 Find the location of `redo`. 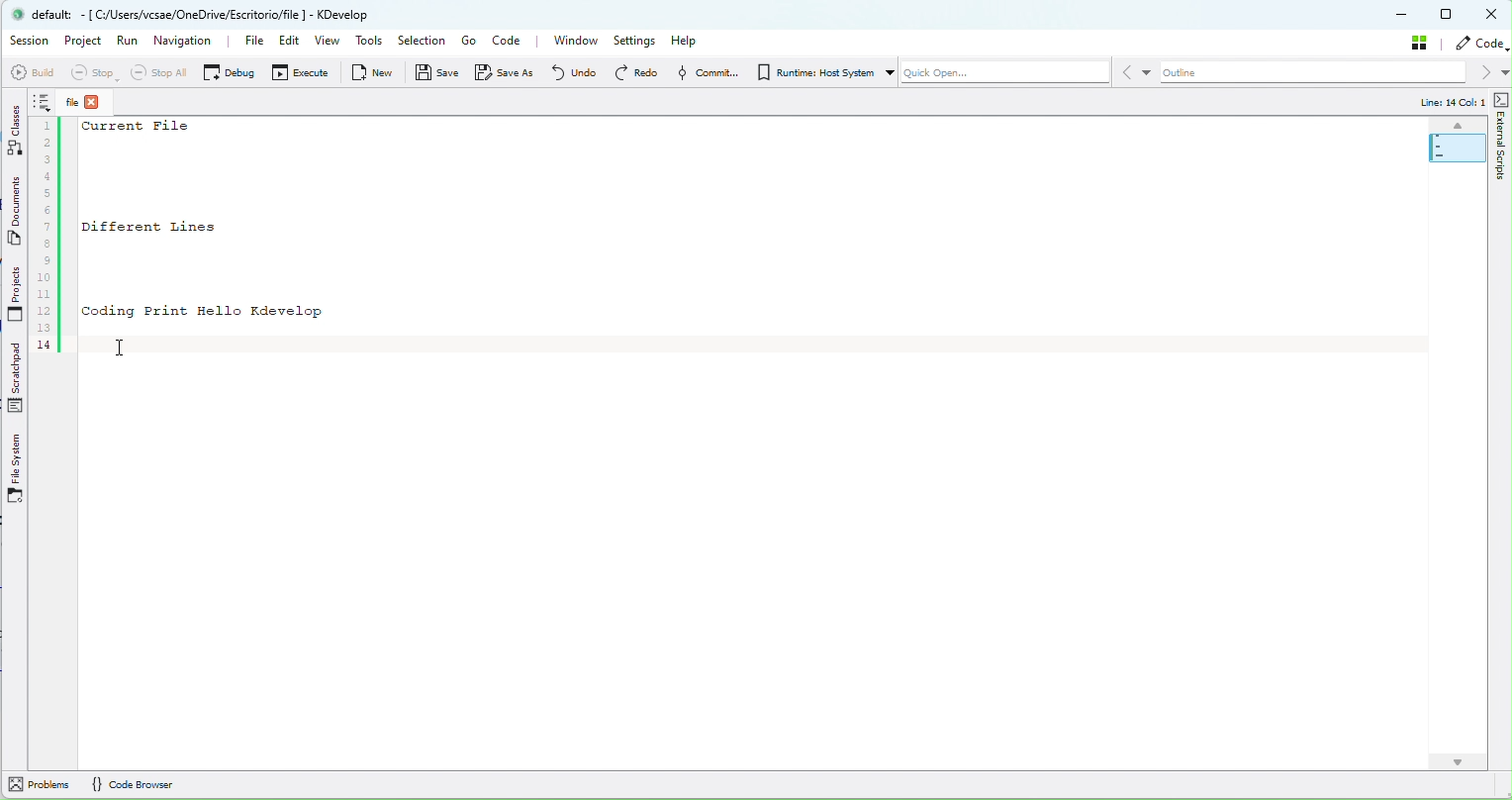

redo is located at coordinates (635, 72).